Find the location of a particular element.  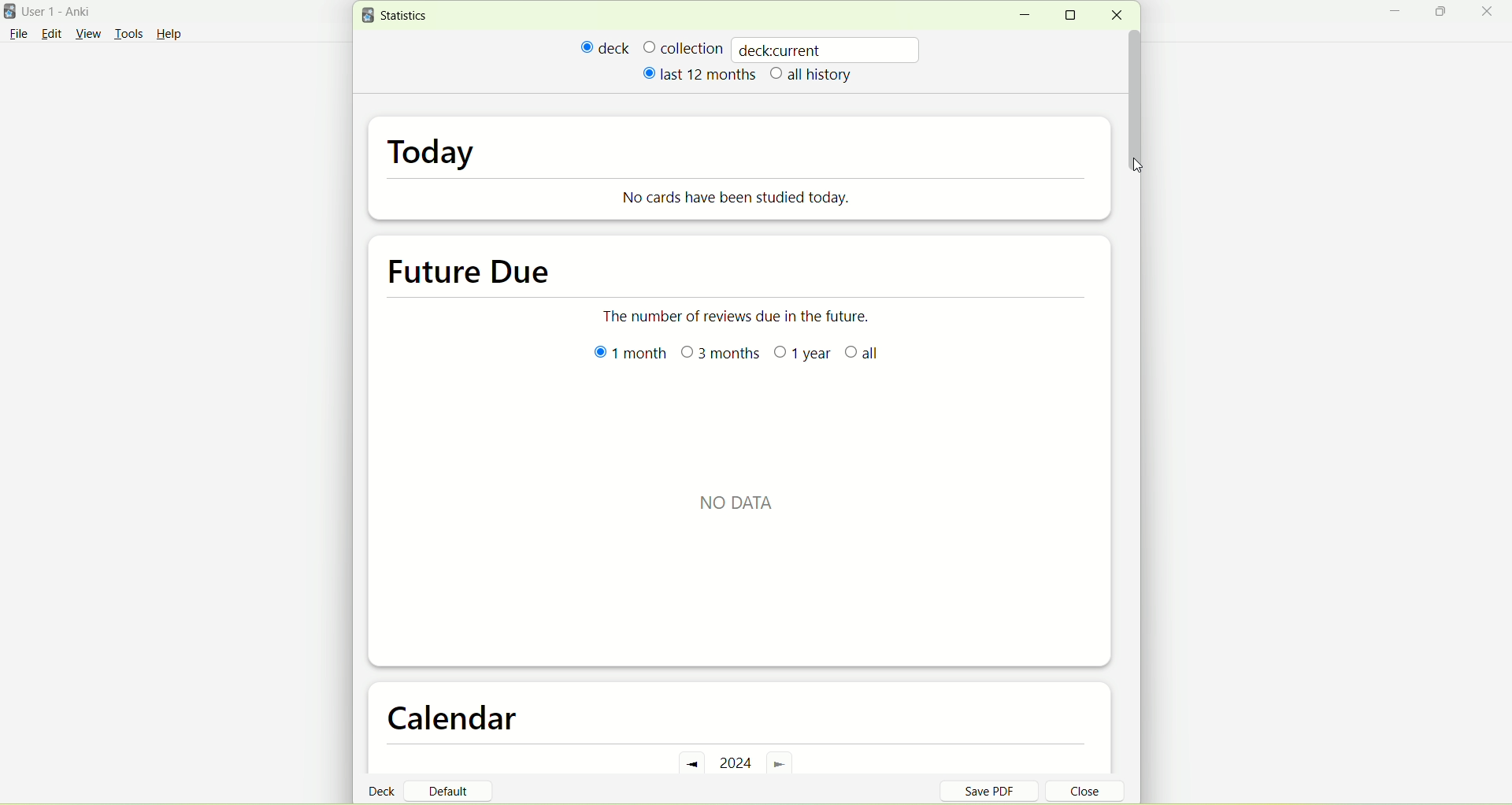

minimize is located at coordinates (1399, 13).